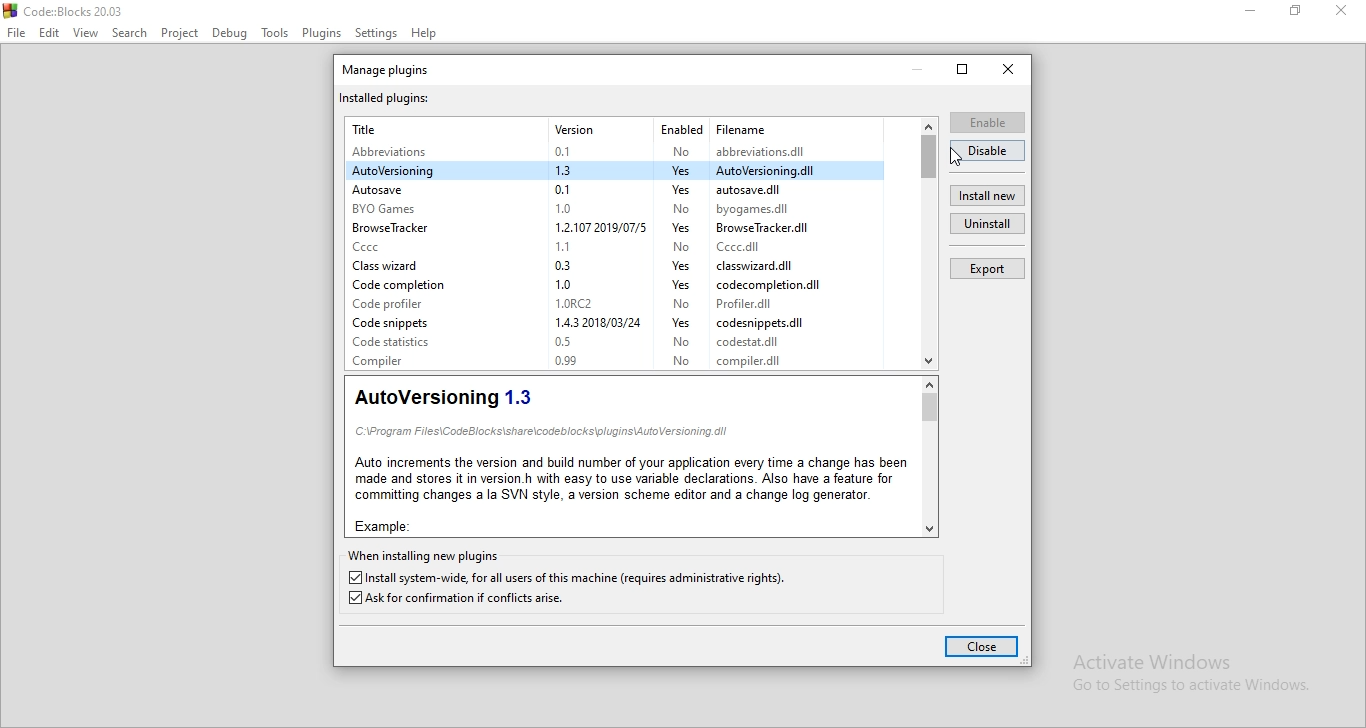  What do you see at coordinates (766, 227) in the screenshot?
I see `‘Browse lracker.dil` at bounding box center [766, 227].